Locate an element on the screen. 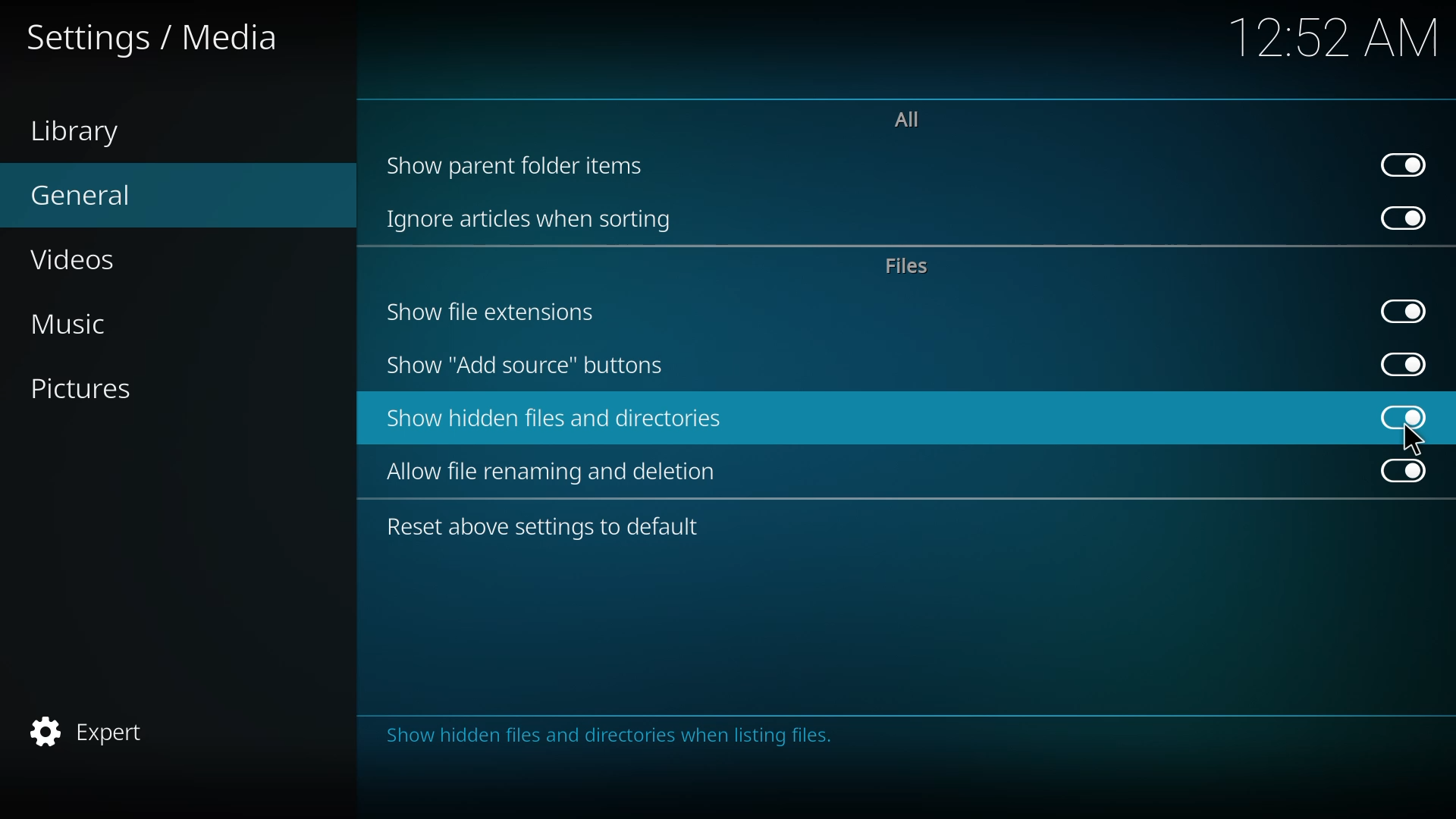 The image size is (1456, 819). pictures is located at coordinates (100, 391).